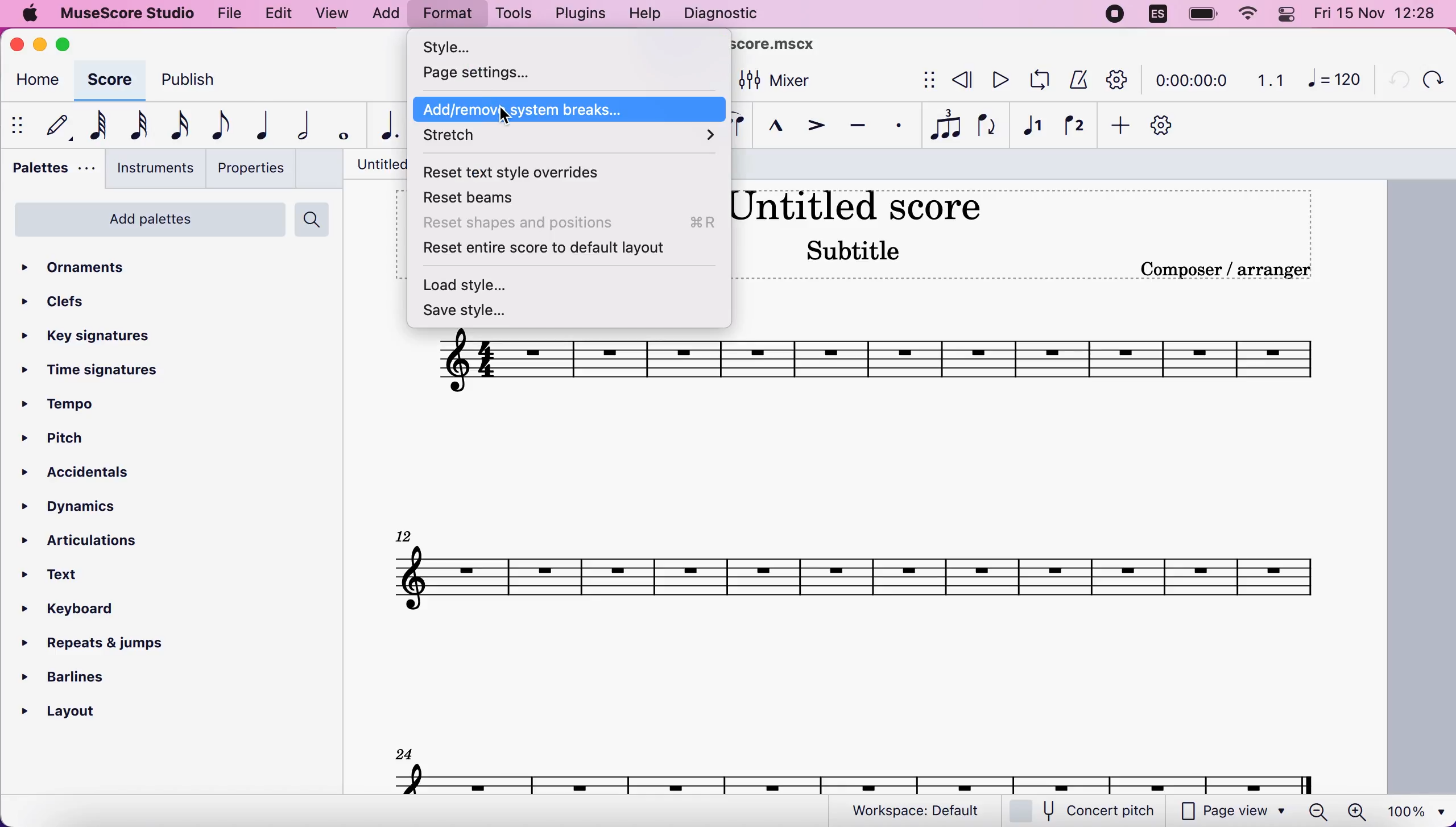 The image size is (1456, 827). What do you see at coordinates (570, 110) in the screenshot?
I see `add/remove system breaks` at bounding box center [570, 110].